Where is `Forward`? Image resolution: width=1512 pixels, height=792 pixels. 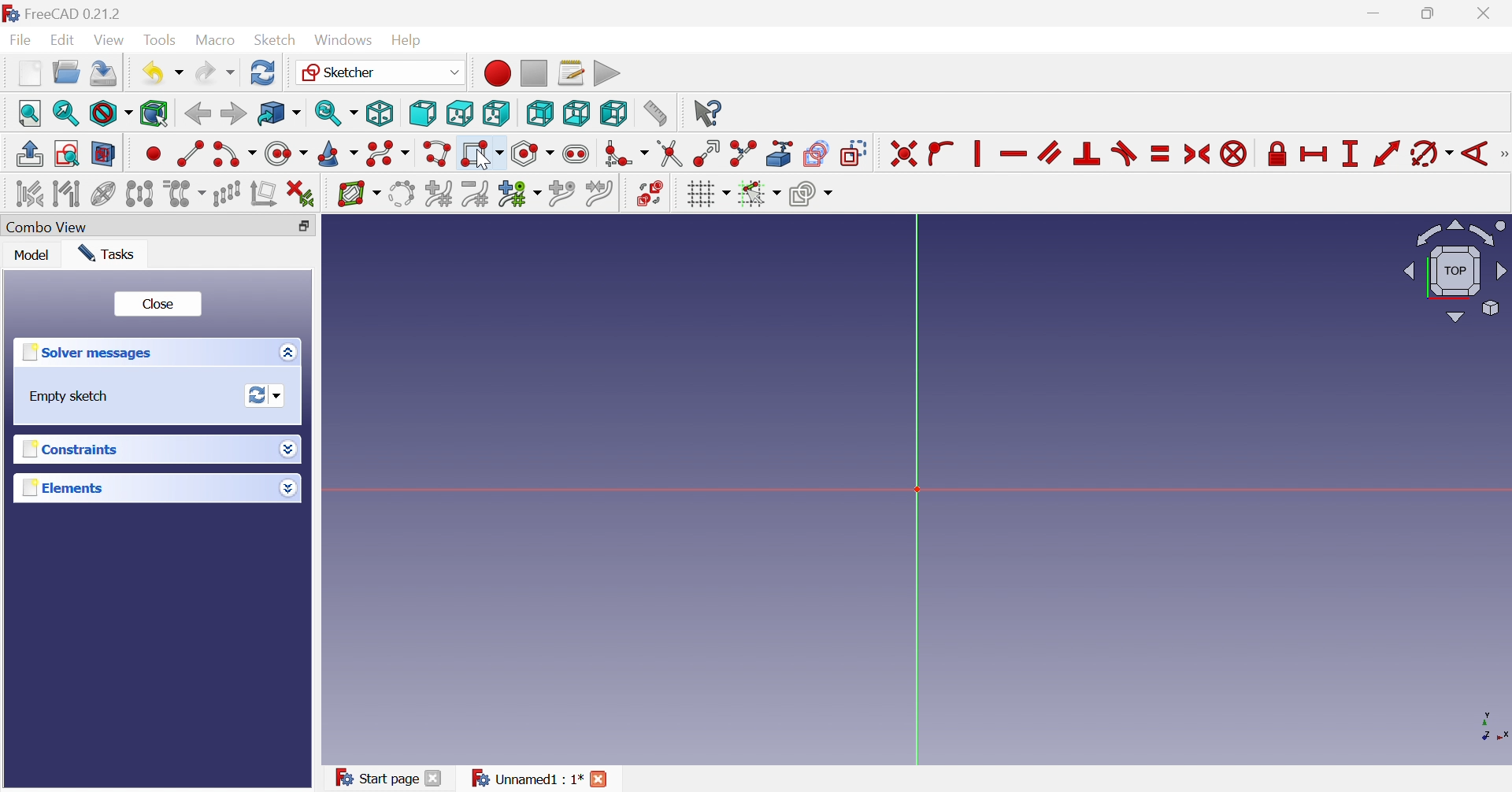
Forward is located at coordinates (232, 113).